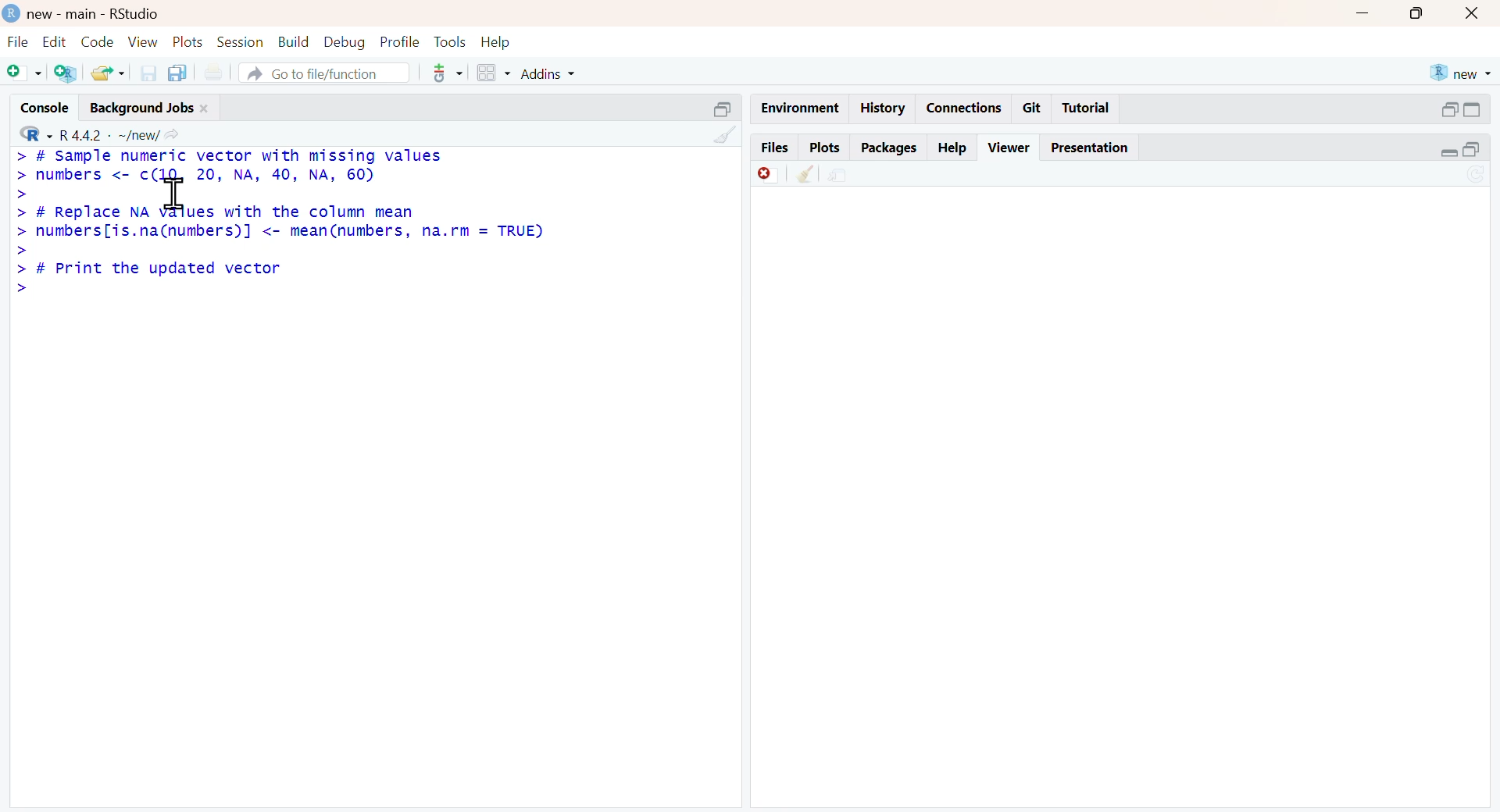 This screenshot has height=812, width=1500. Describe the element at coordinates (229, 175) in the screenshot. I see `> # Sample numeric vector with missing values> numbers <- c(10, 20, NA, 40, NA, 60)>` at that location.